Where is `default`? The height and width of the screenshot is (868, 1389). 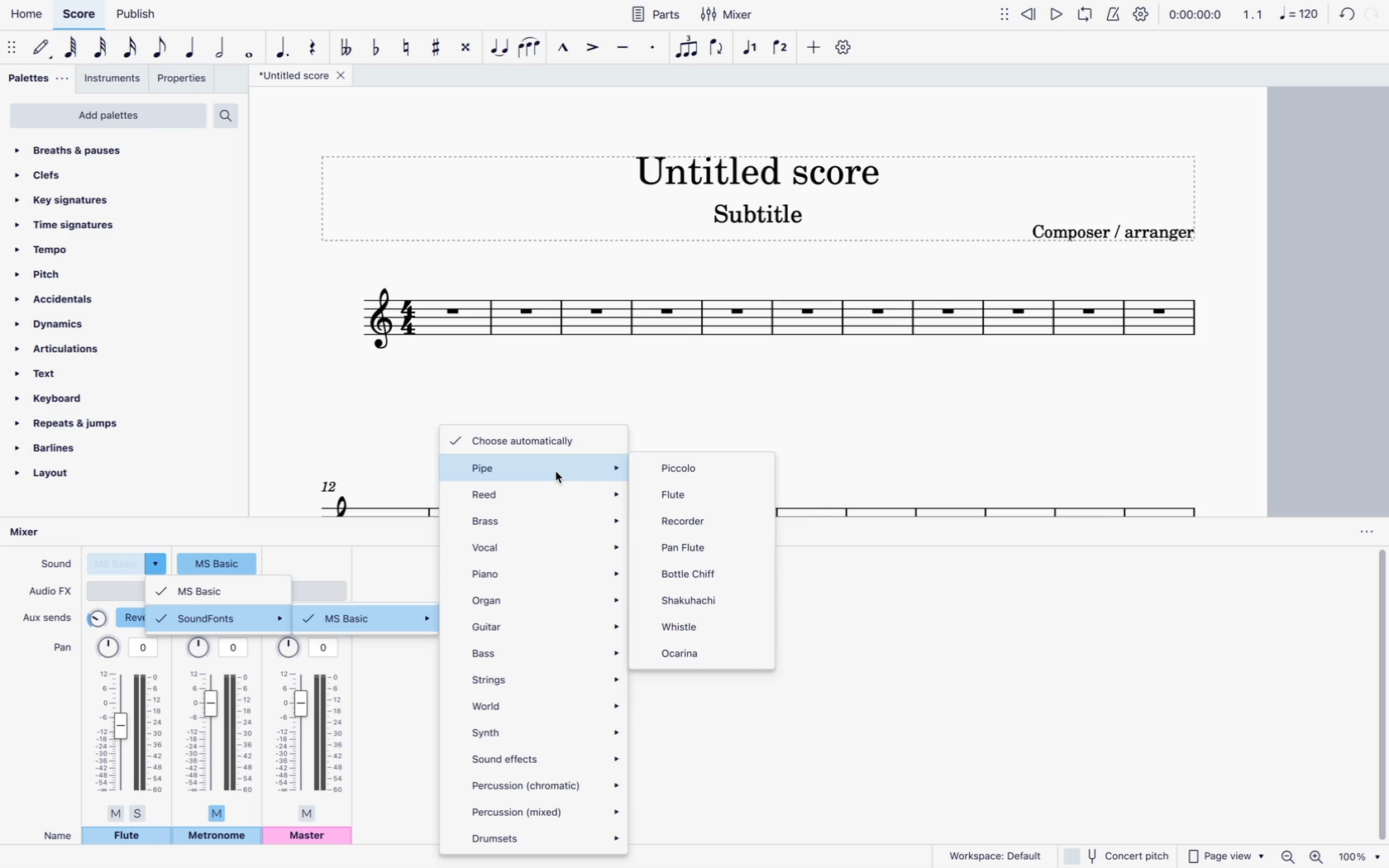 default is located at coordinates (43, 48).